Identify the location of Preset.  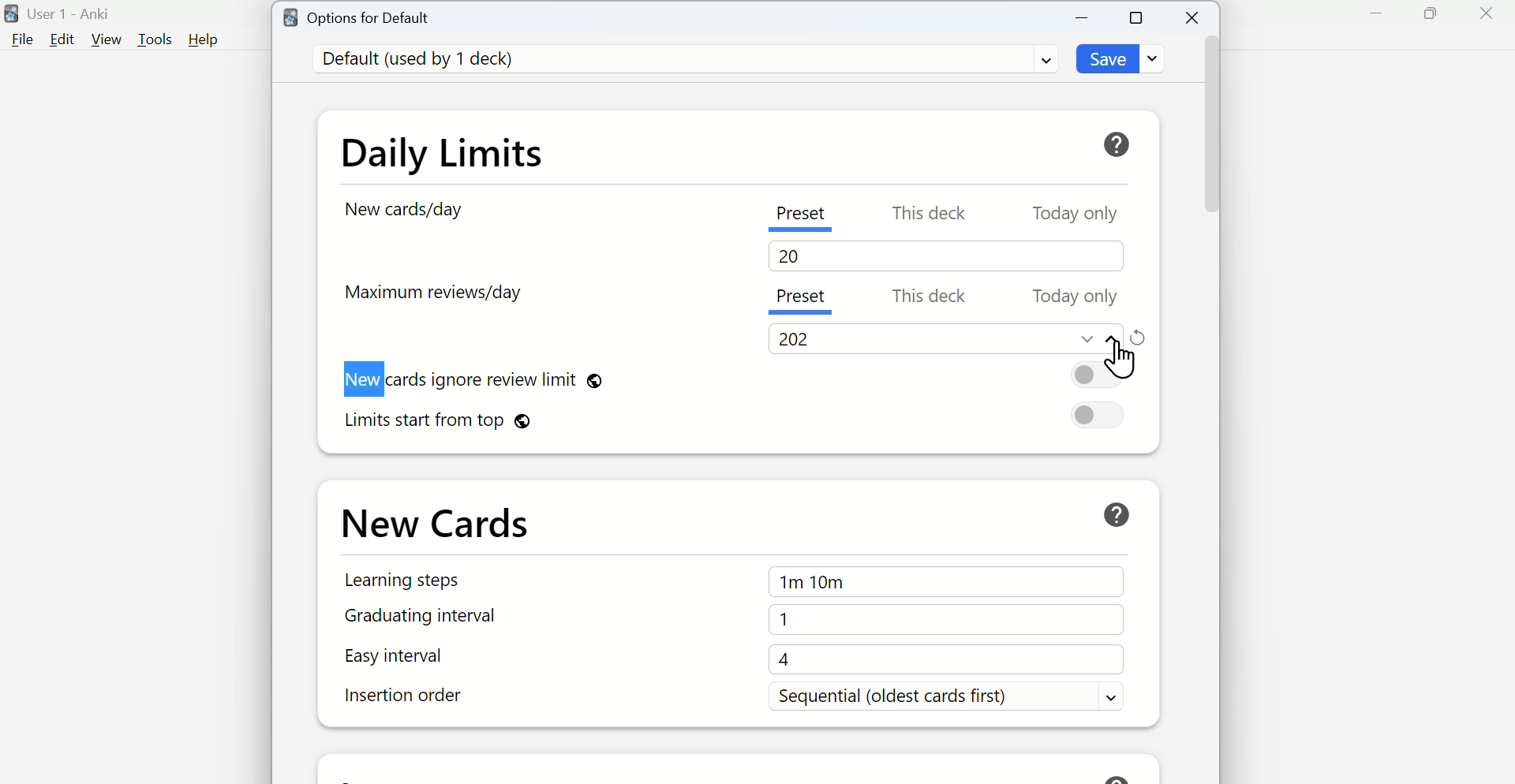
(799, 216).